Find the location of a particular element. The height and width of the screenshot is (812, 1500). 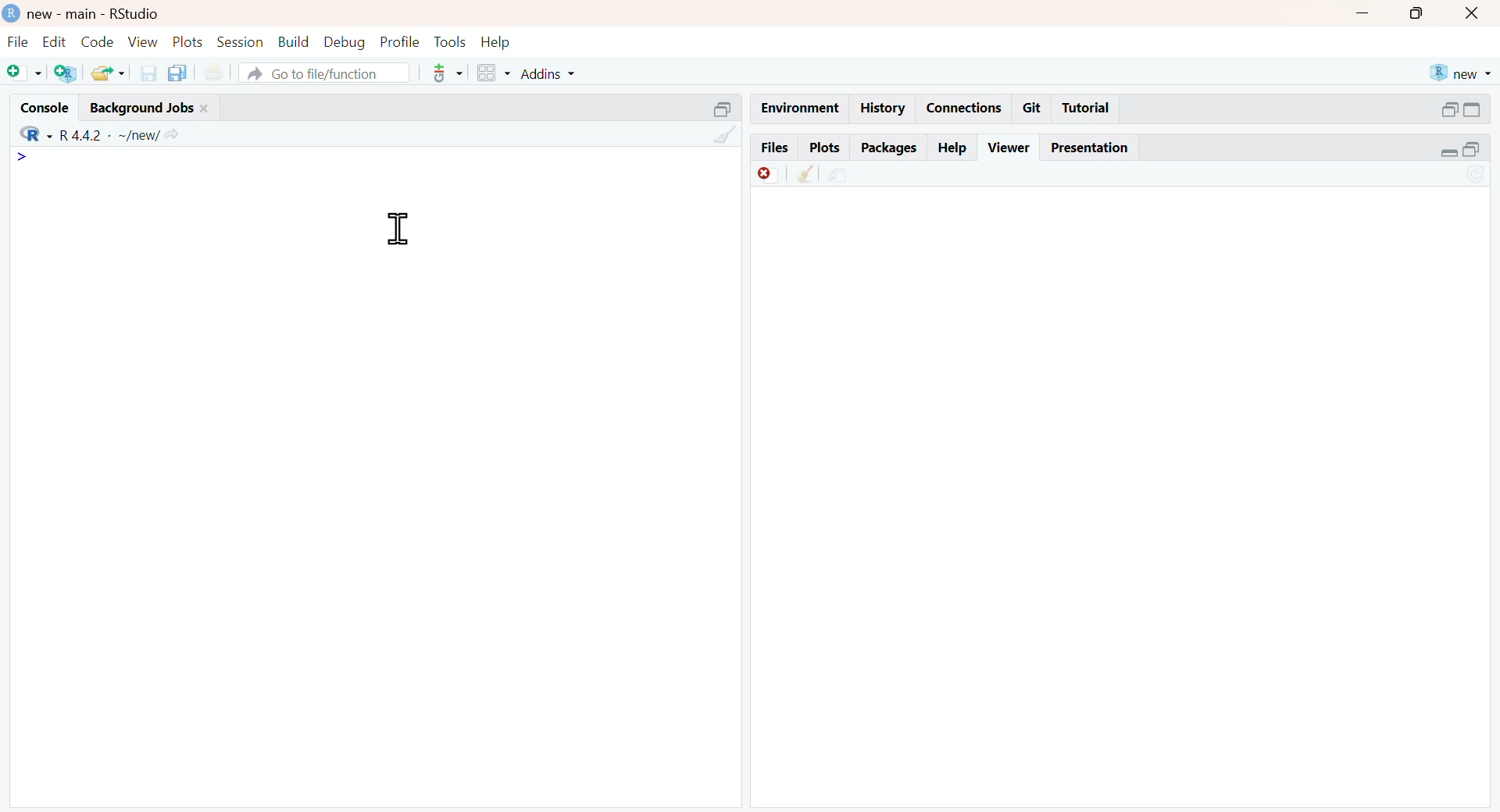

maximize is located at coordinates (1417, 14).